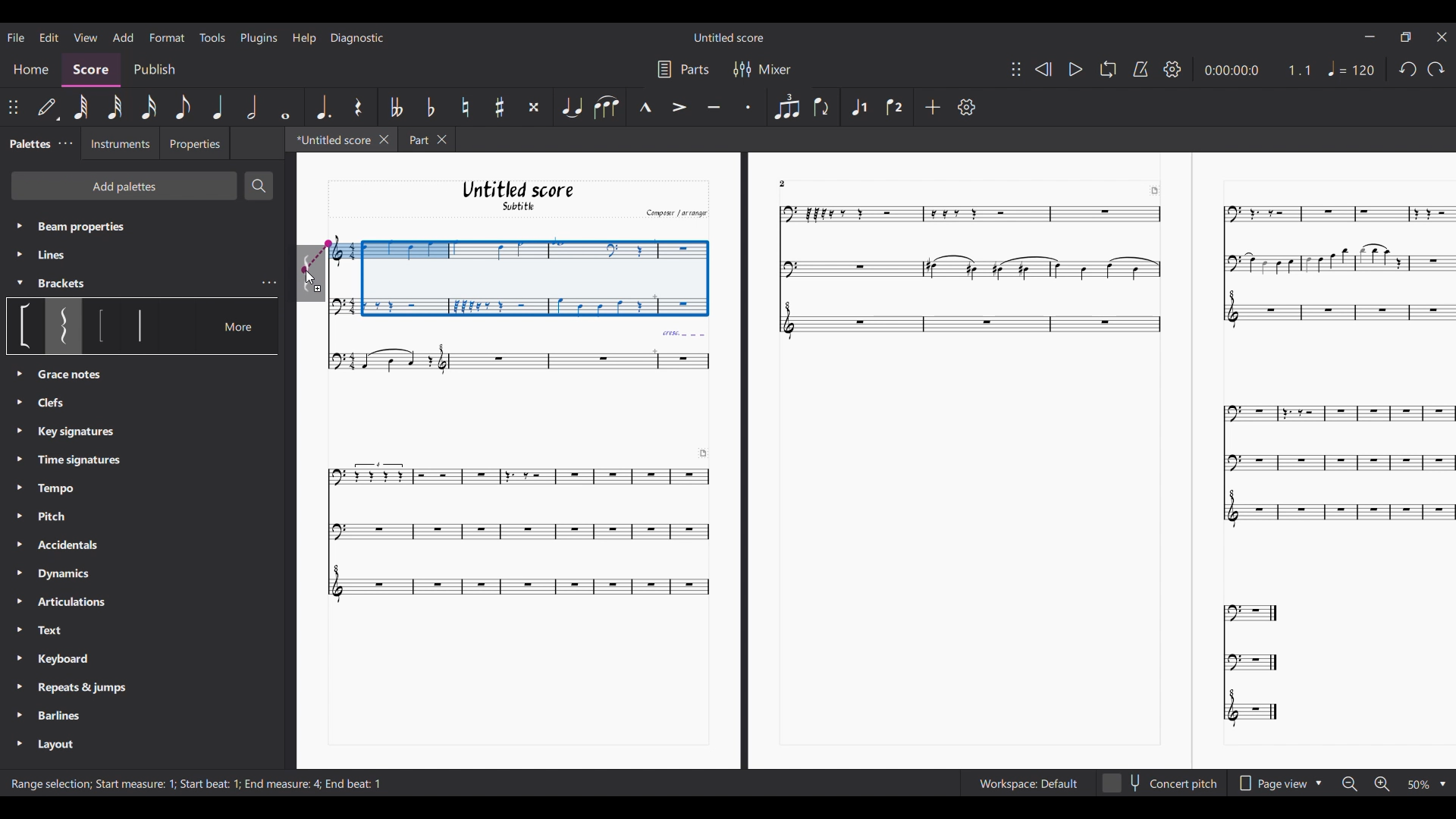  Describe the element at coordinates (116, 107) in the screenshot. I see `32nd note` at that location.